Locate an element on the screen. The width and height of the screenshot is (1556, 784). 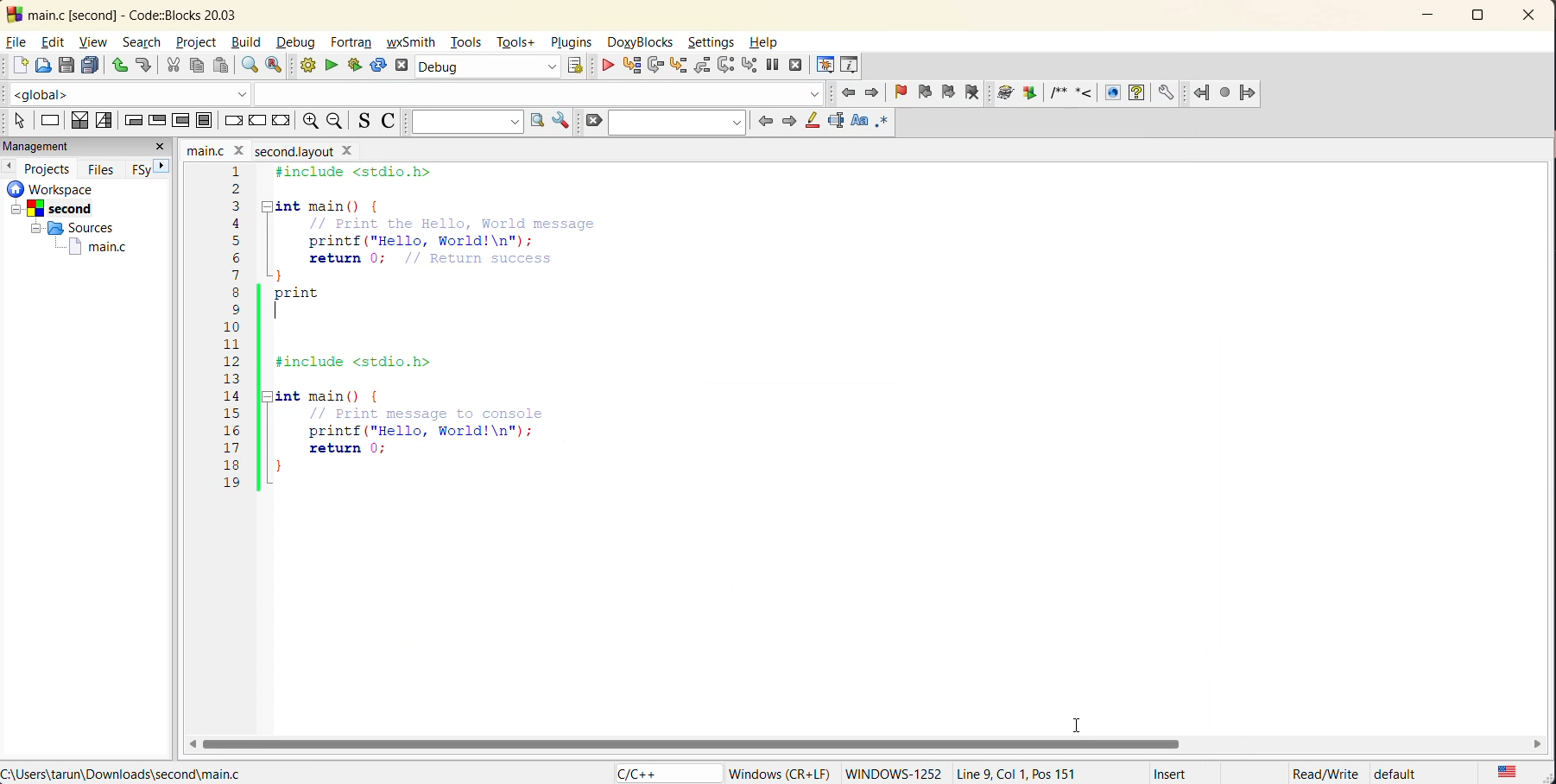
counting loop is located at coordinates (178, 119).